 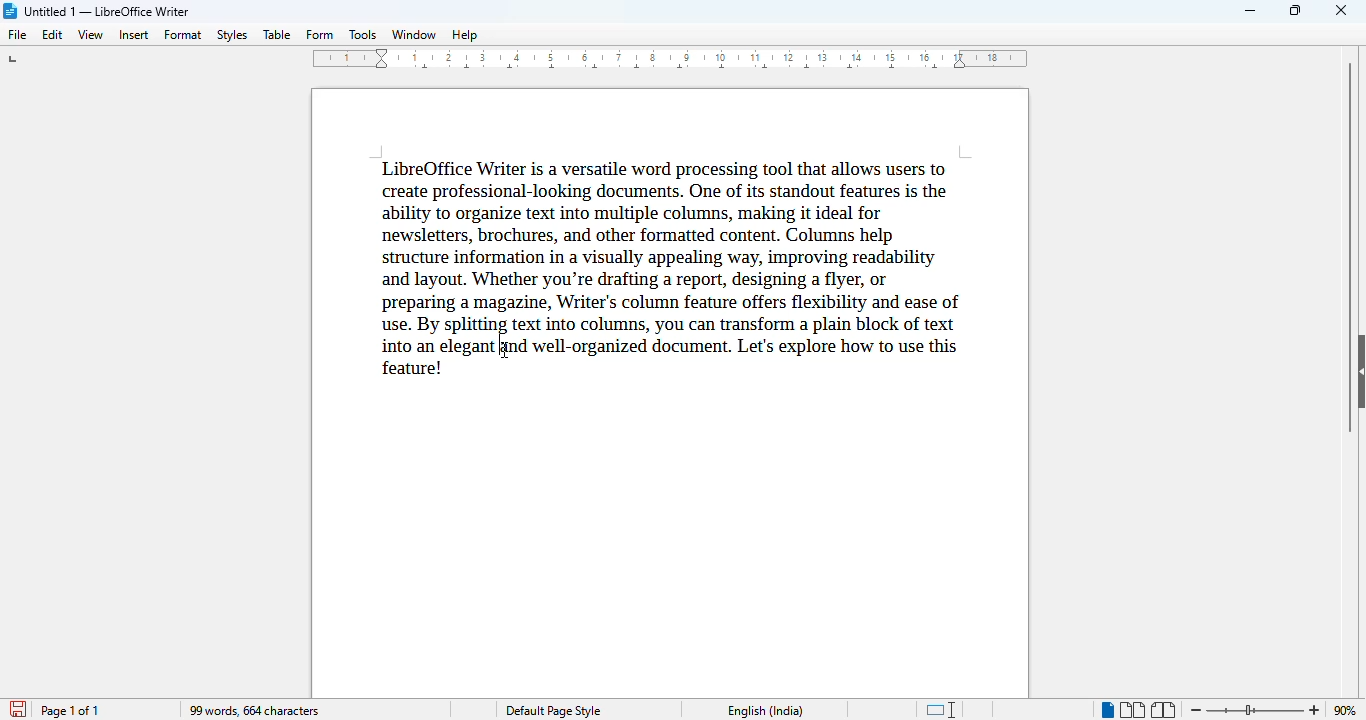 What do you see at coordinates (133, 35) in the screenshot?
I see `insert` at bounding box center [133, 35].